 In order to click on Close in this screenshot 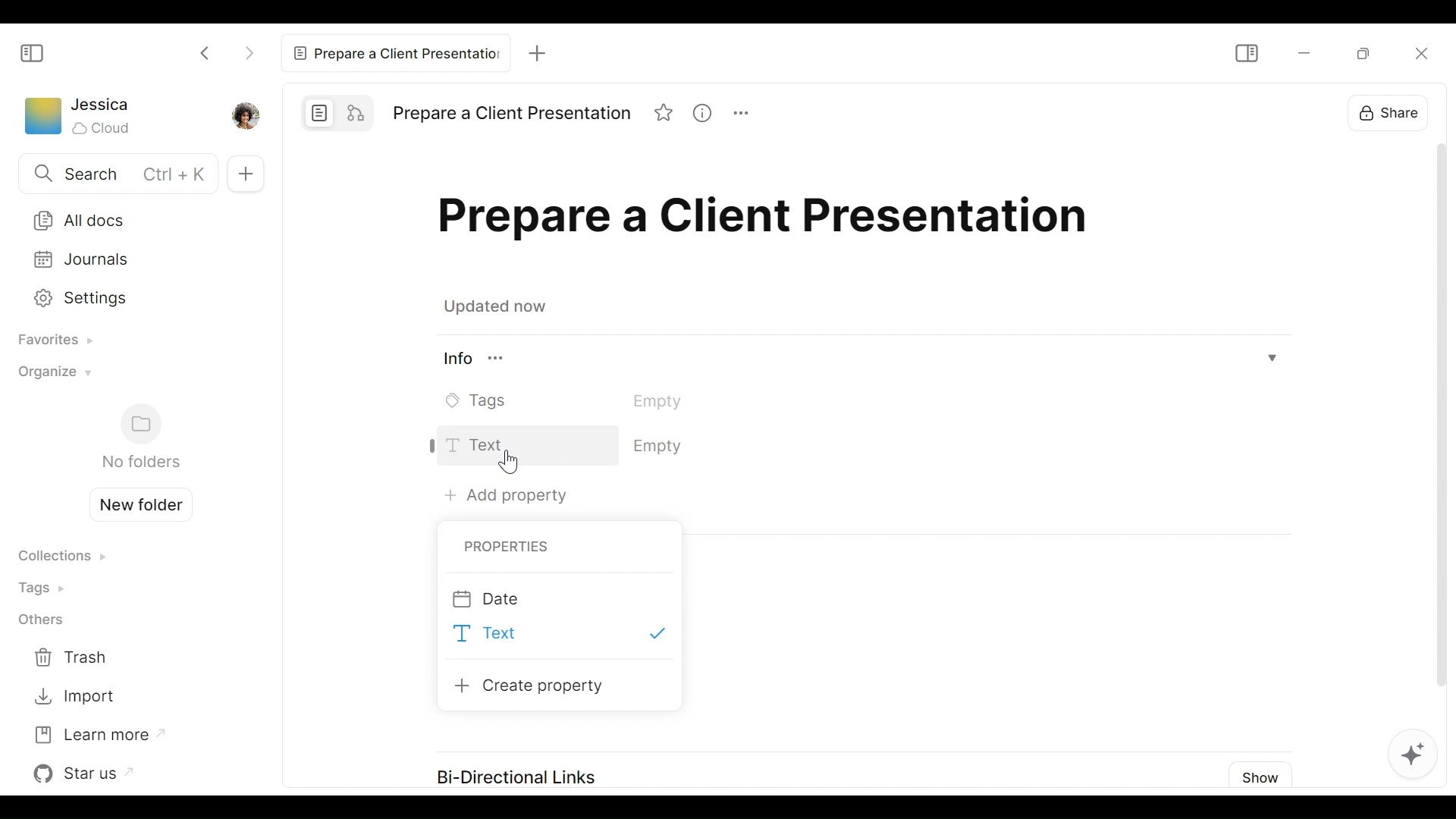, I will do `click(1421, 58)`.